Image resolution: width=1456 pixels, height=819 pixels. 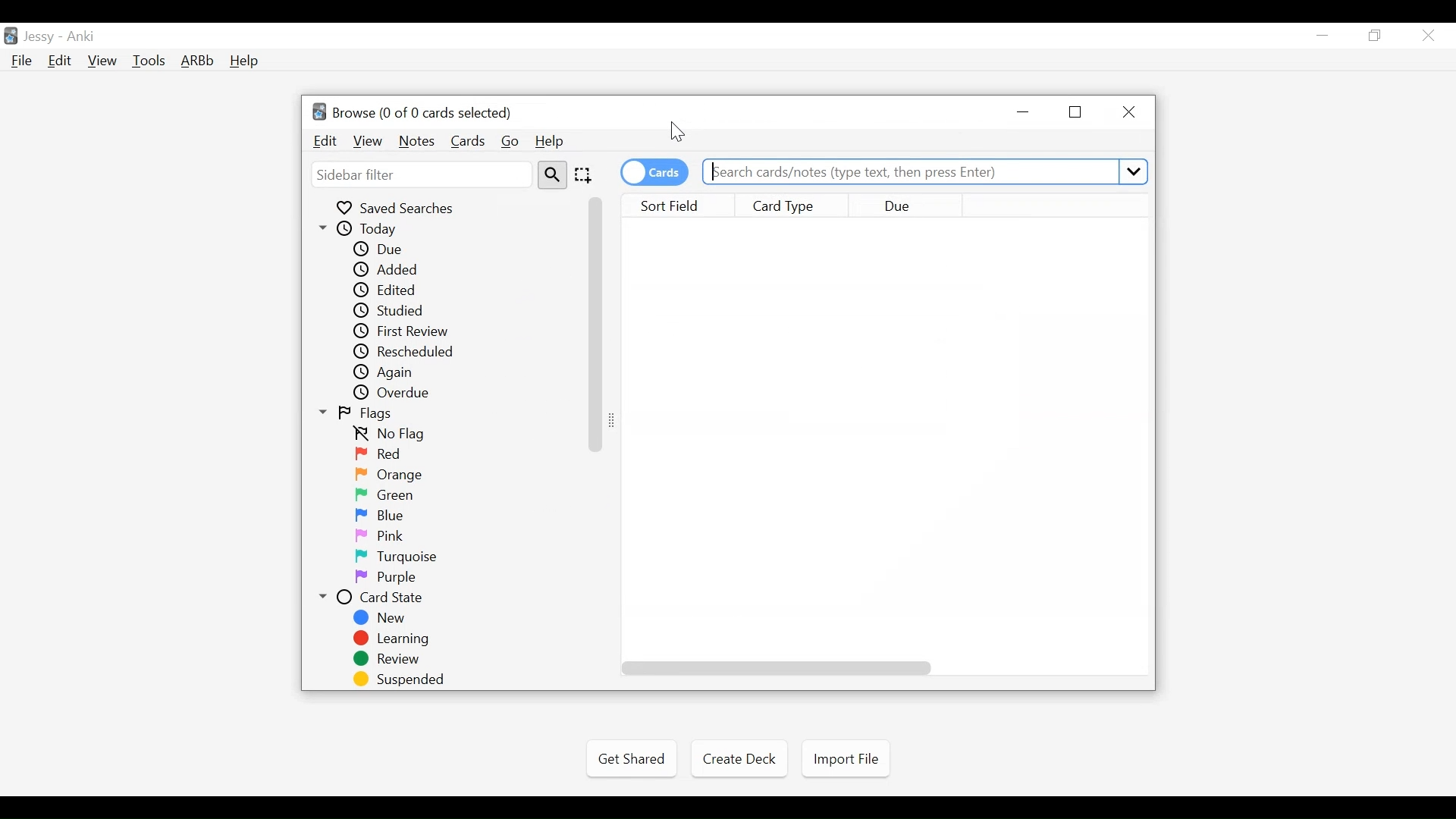 I want to click on Cursor, so click(x=677, y=134).